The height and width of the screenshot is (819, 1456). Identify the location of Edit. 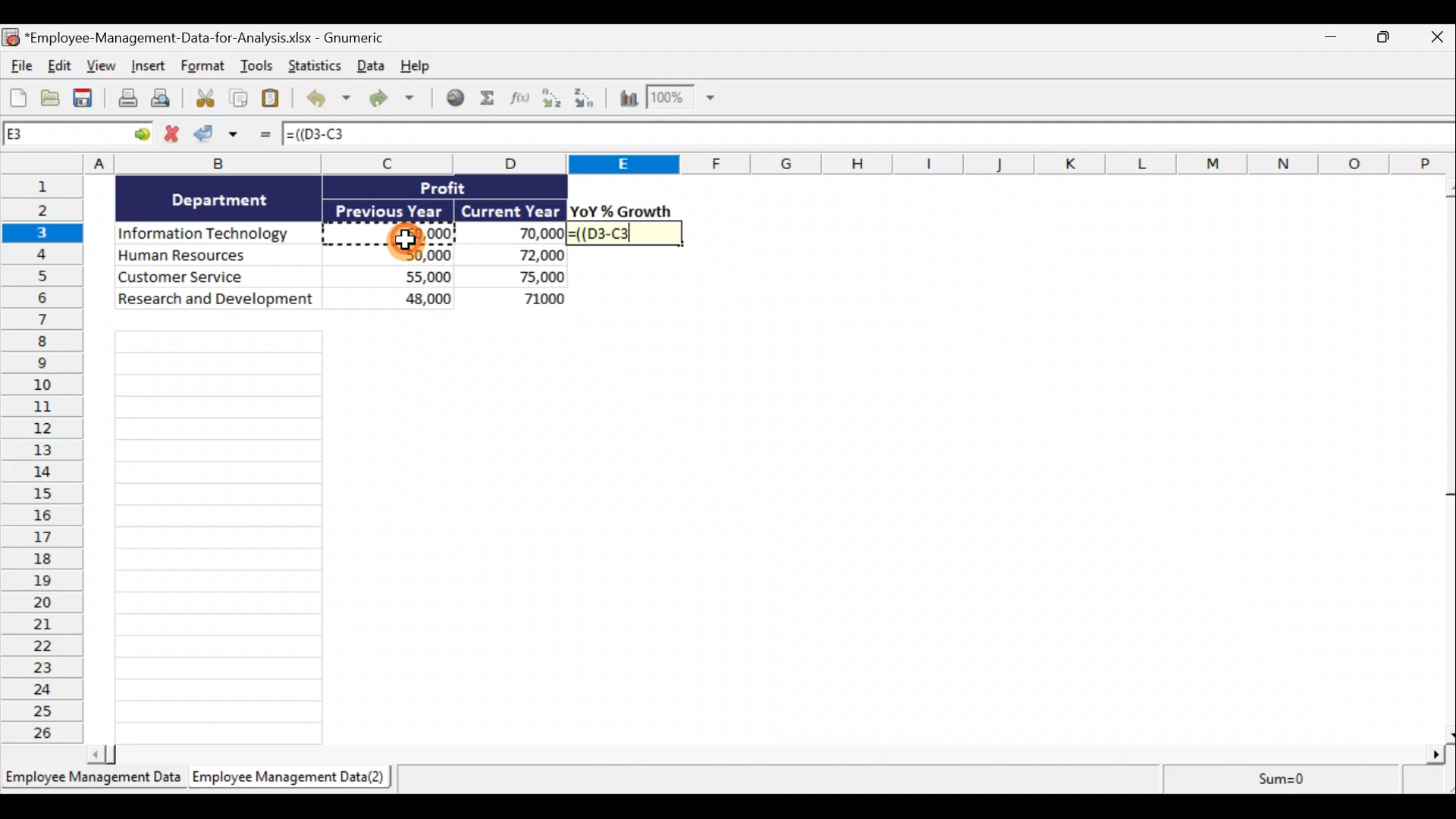
(58, 65).